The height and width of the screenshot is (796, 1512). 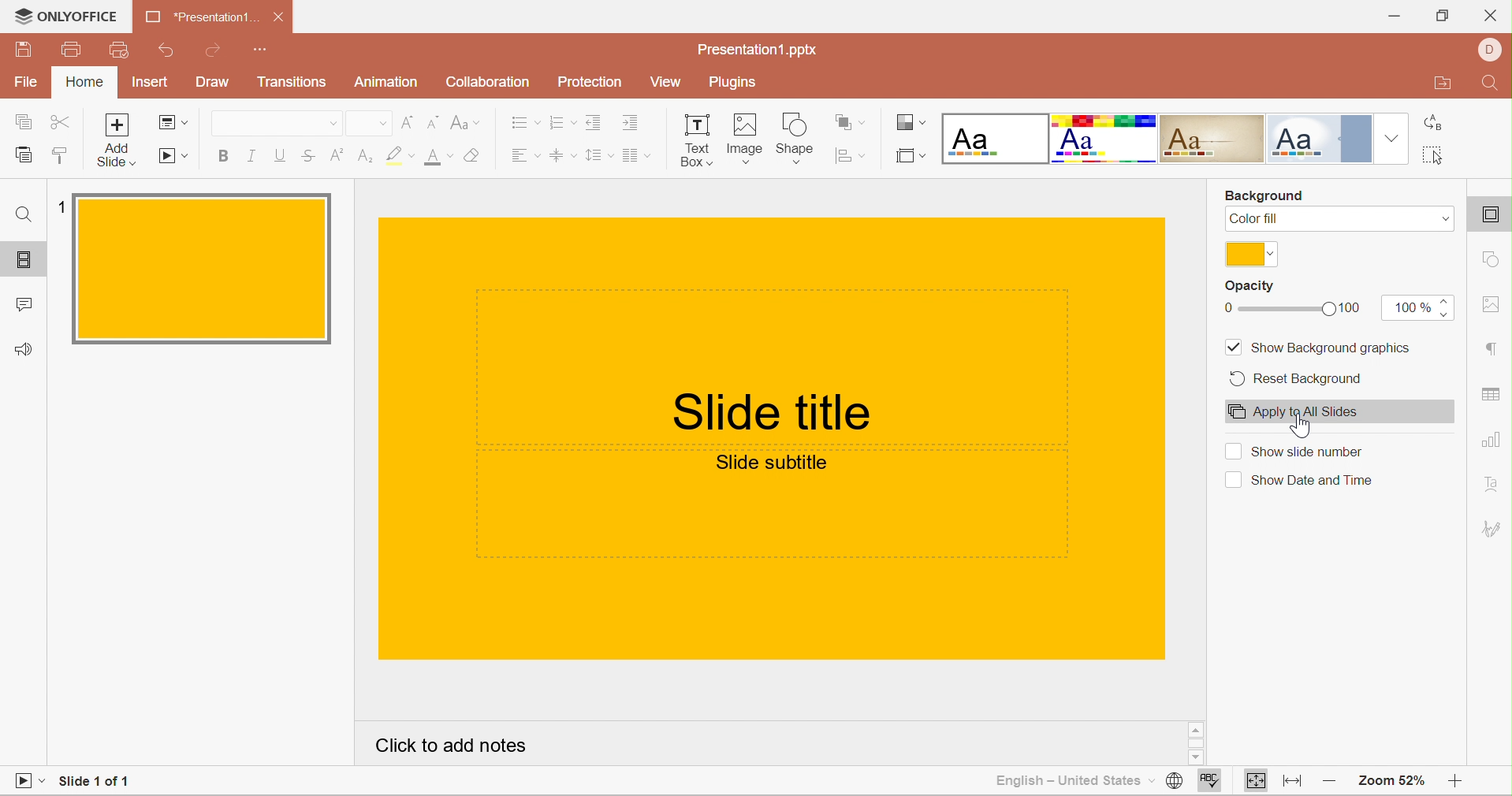 I want to click on Close, so click(x=1491, y=16).